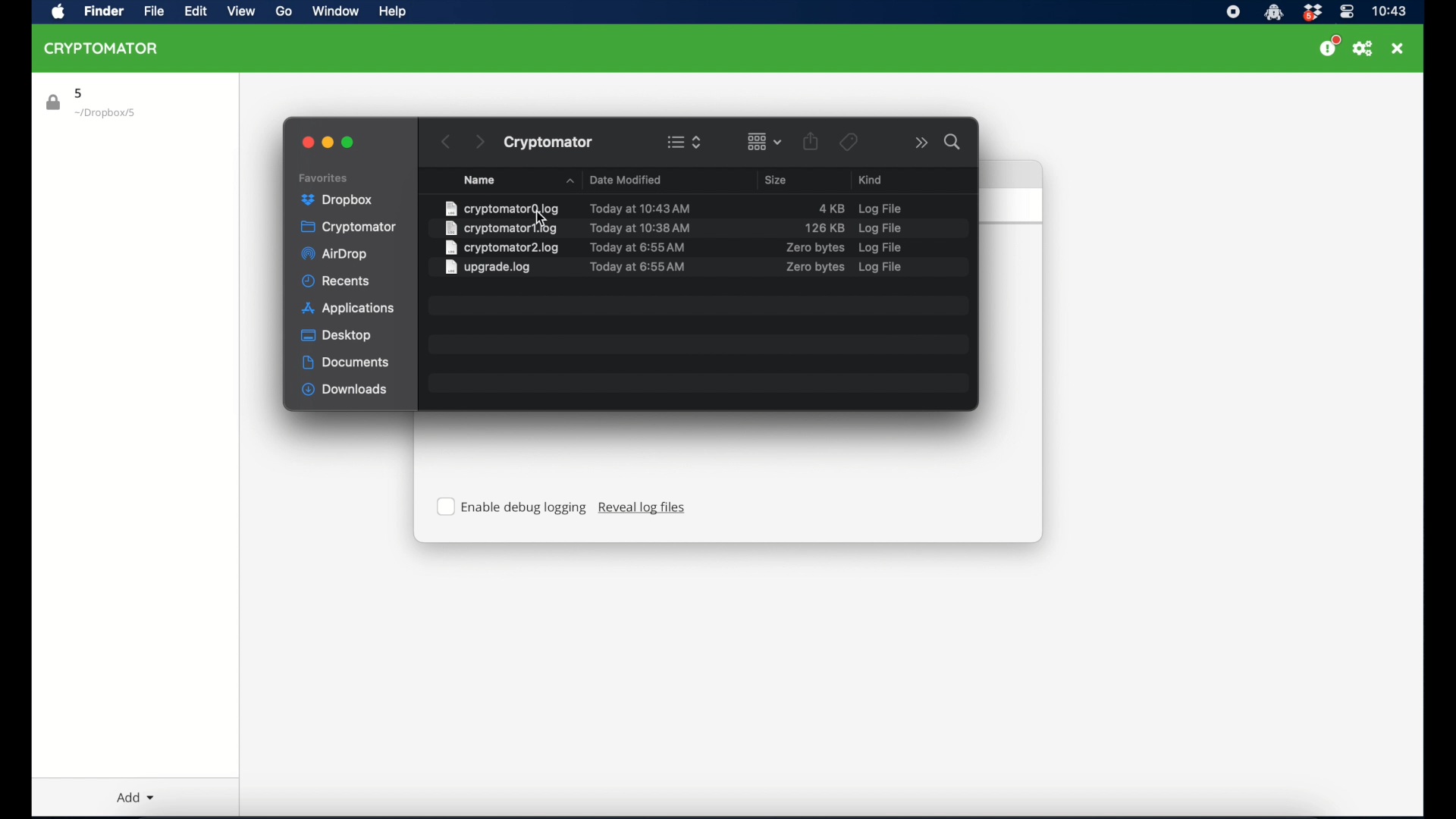 Image resolution: width=1456 pixels, height=819 pixels. Describe the element at coordinates (350, 309) in the screenshot. I see `applications` at that location.